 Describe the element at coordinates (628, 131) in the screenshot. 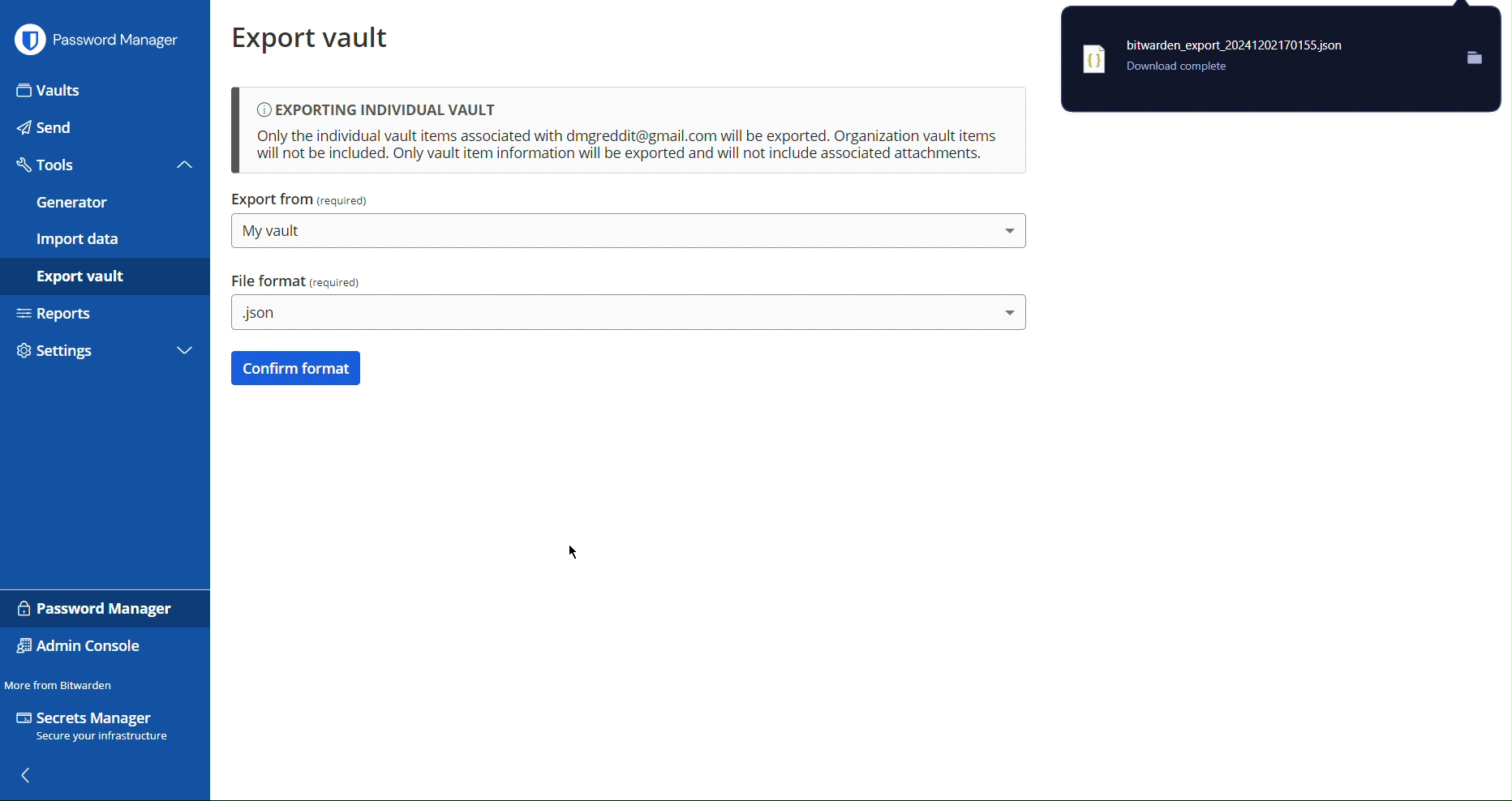

I see `Exporting Individual Vault` at that location.